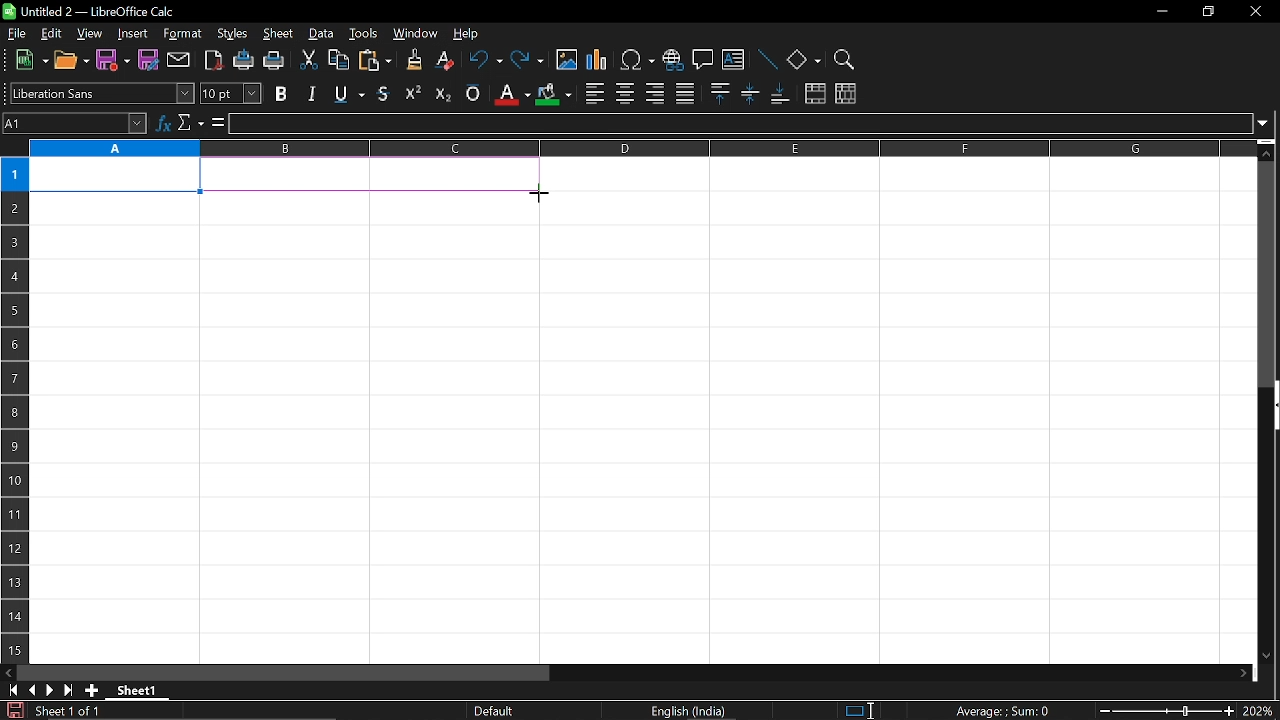  Describe the element at coordinates (374, 61) in the screenshot. I see `paste` at that location.